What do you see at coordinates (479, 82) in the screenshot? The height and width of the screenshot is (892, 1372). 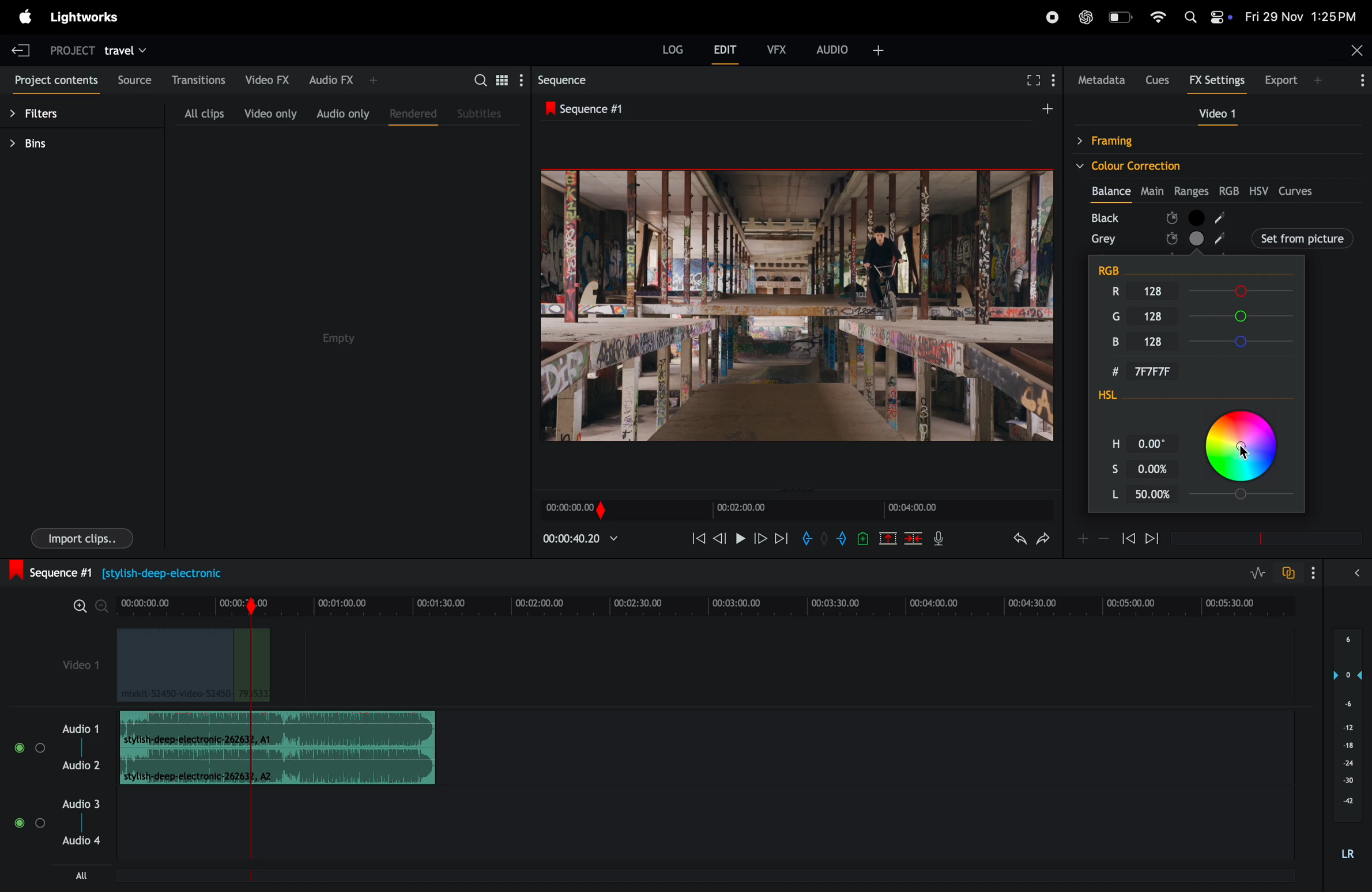 I see `search bar` at bounding box center [479, 82].